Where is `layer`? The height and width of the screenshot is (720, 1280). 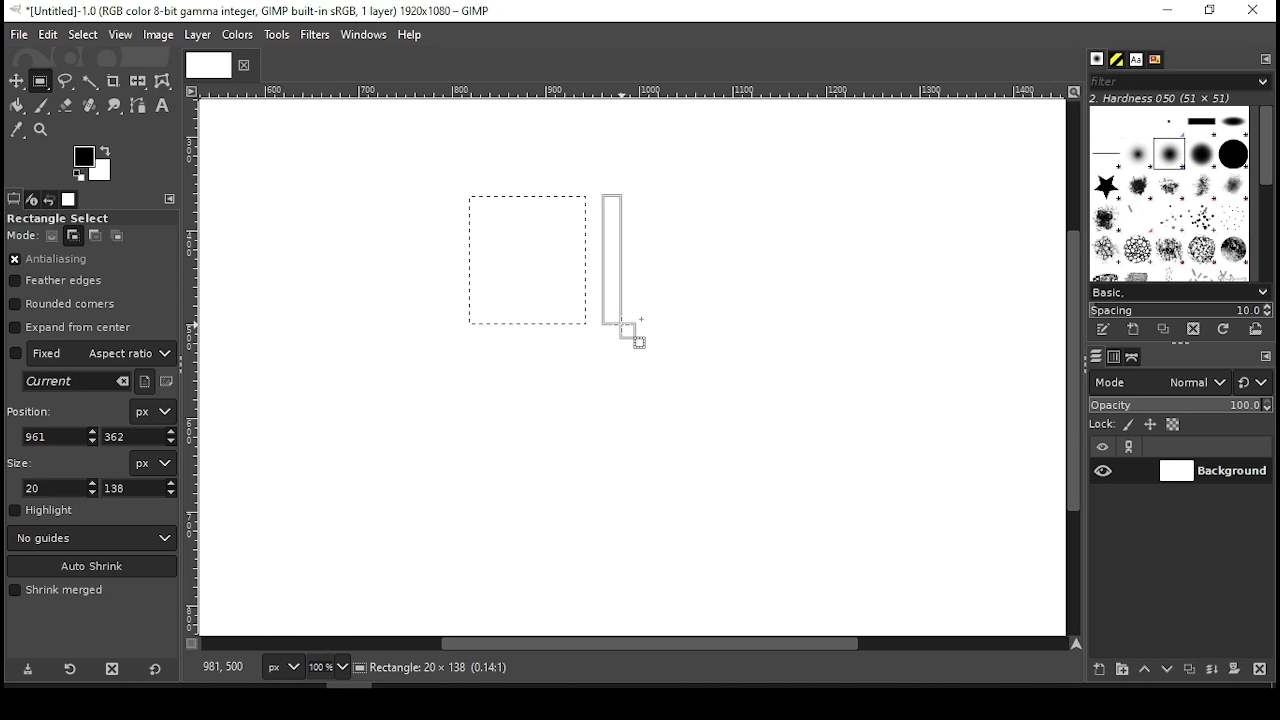 layer is located at coordinates (196, 35).